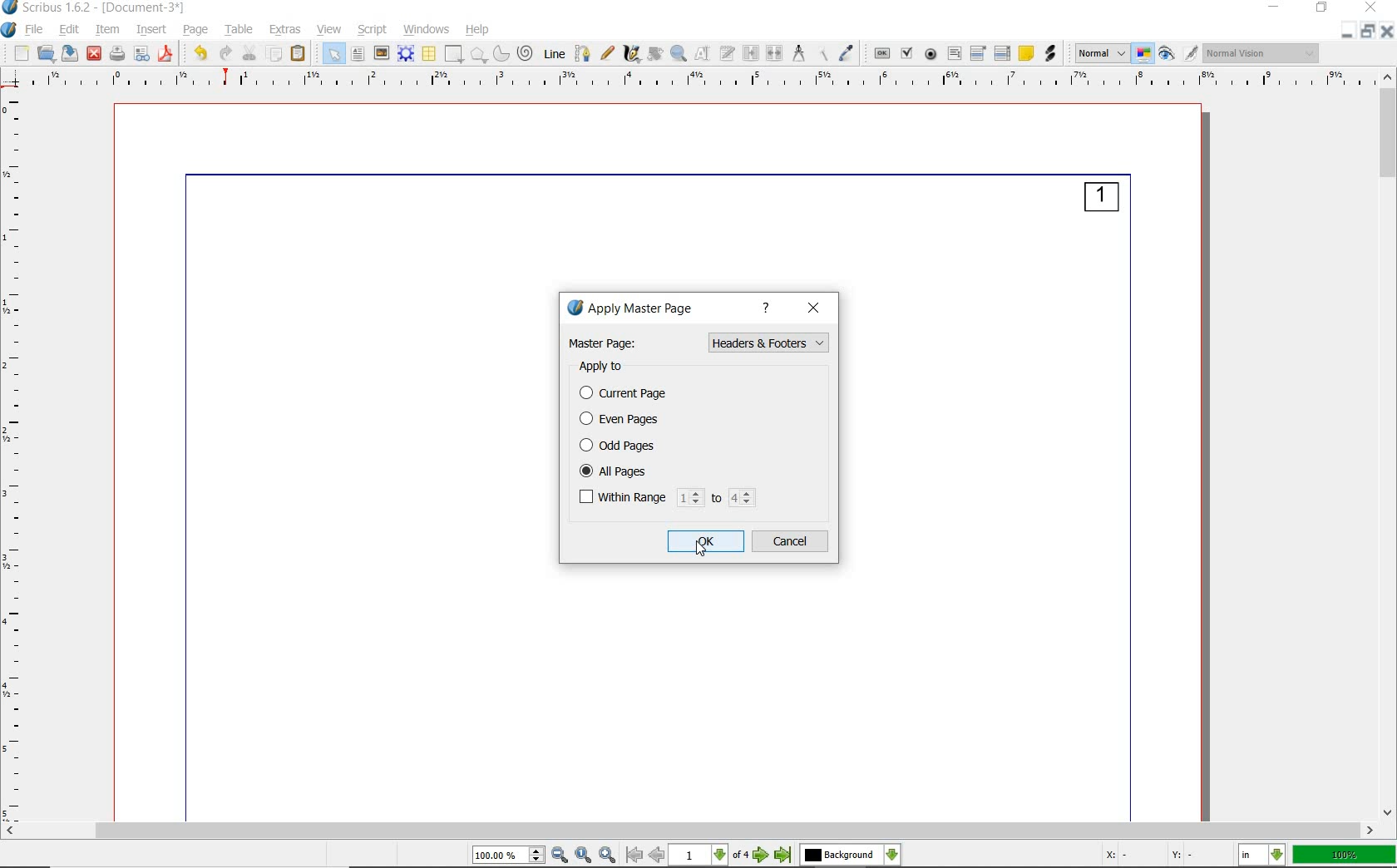 The width and height of the screenshot is (1397, 868). Describe the element at coordinates (1348, 32) in the screenshot. I see `Minimize` at that location.